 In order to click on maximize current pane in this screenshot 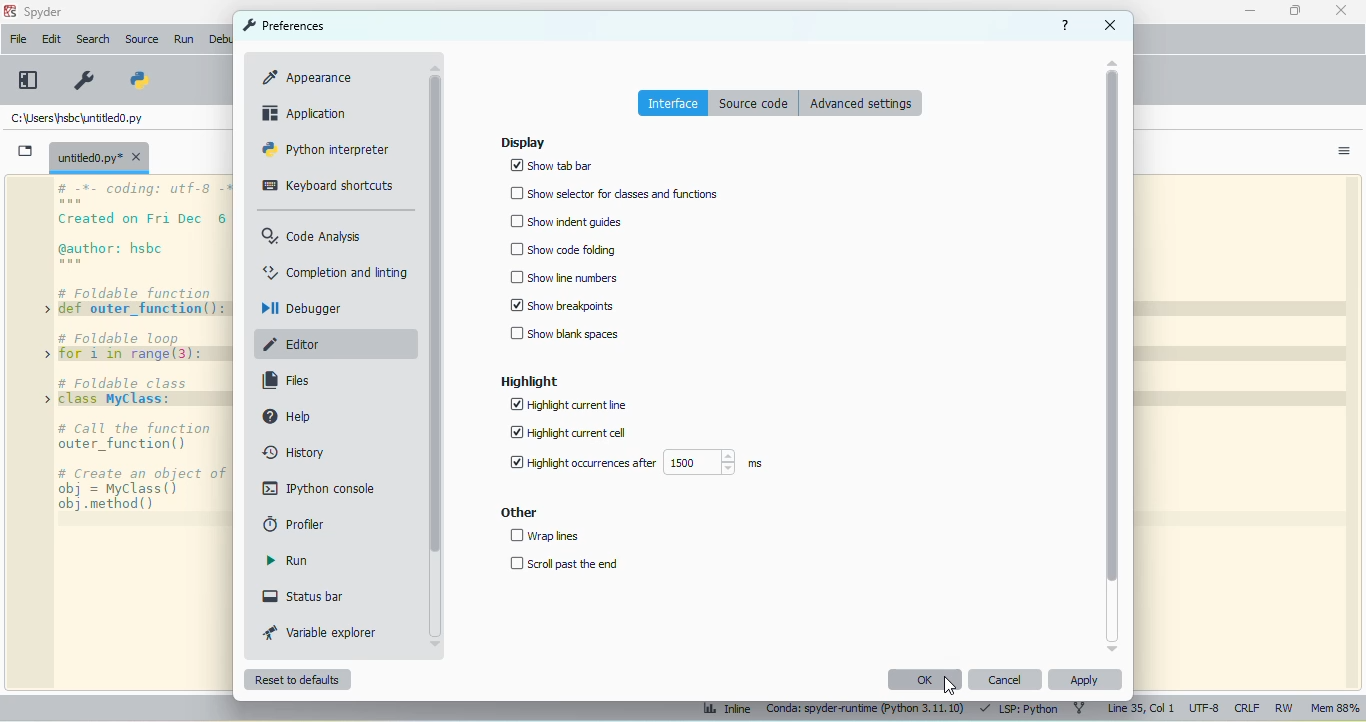, I will do `click(28, 80)`.